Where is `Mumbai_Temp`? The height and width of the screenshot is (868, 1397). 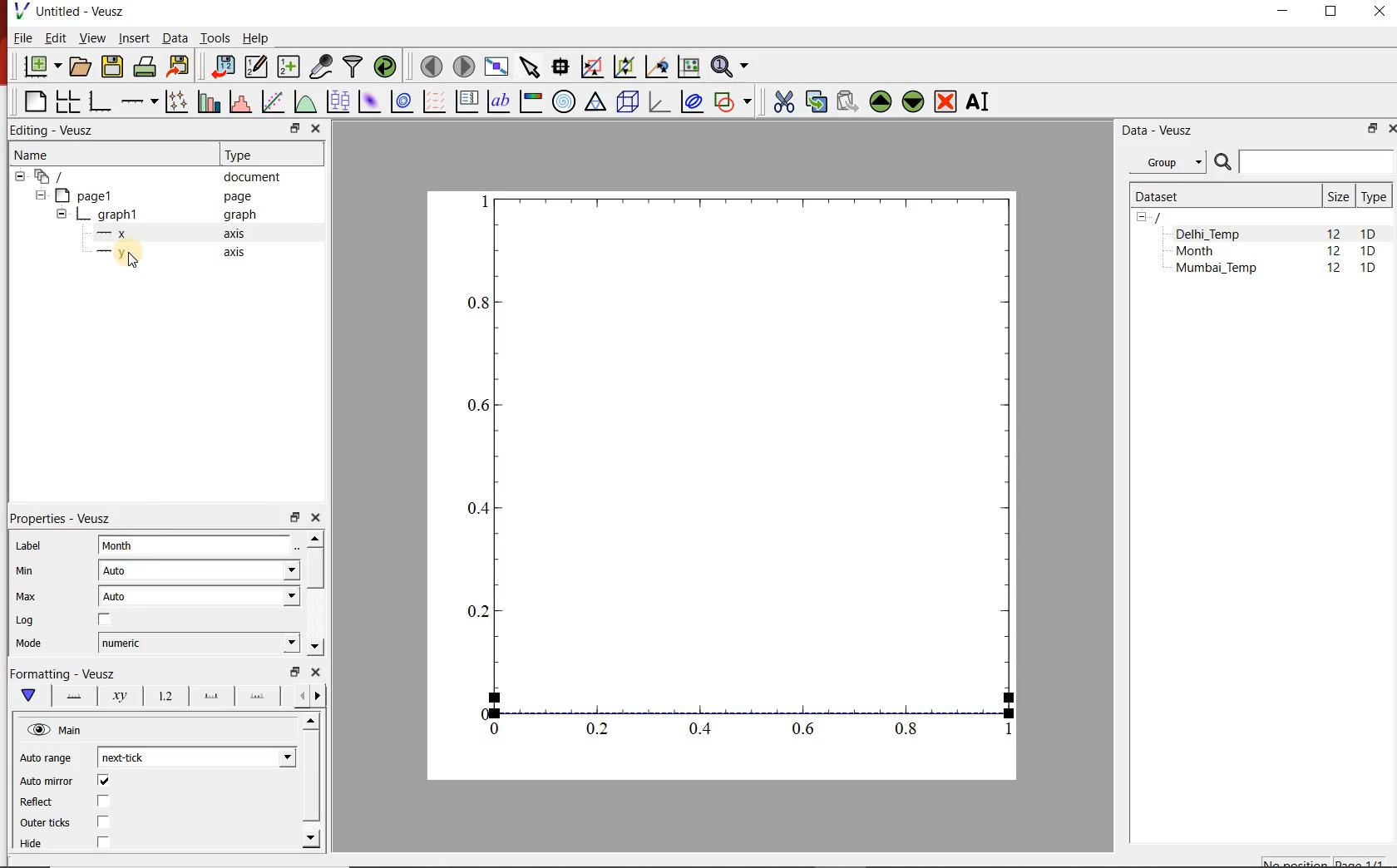 Mumbai_Temp is located at coordinates (1216, 269).